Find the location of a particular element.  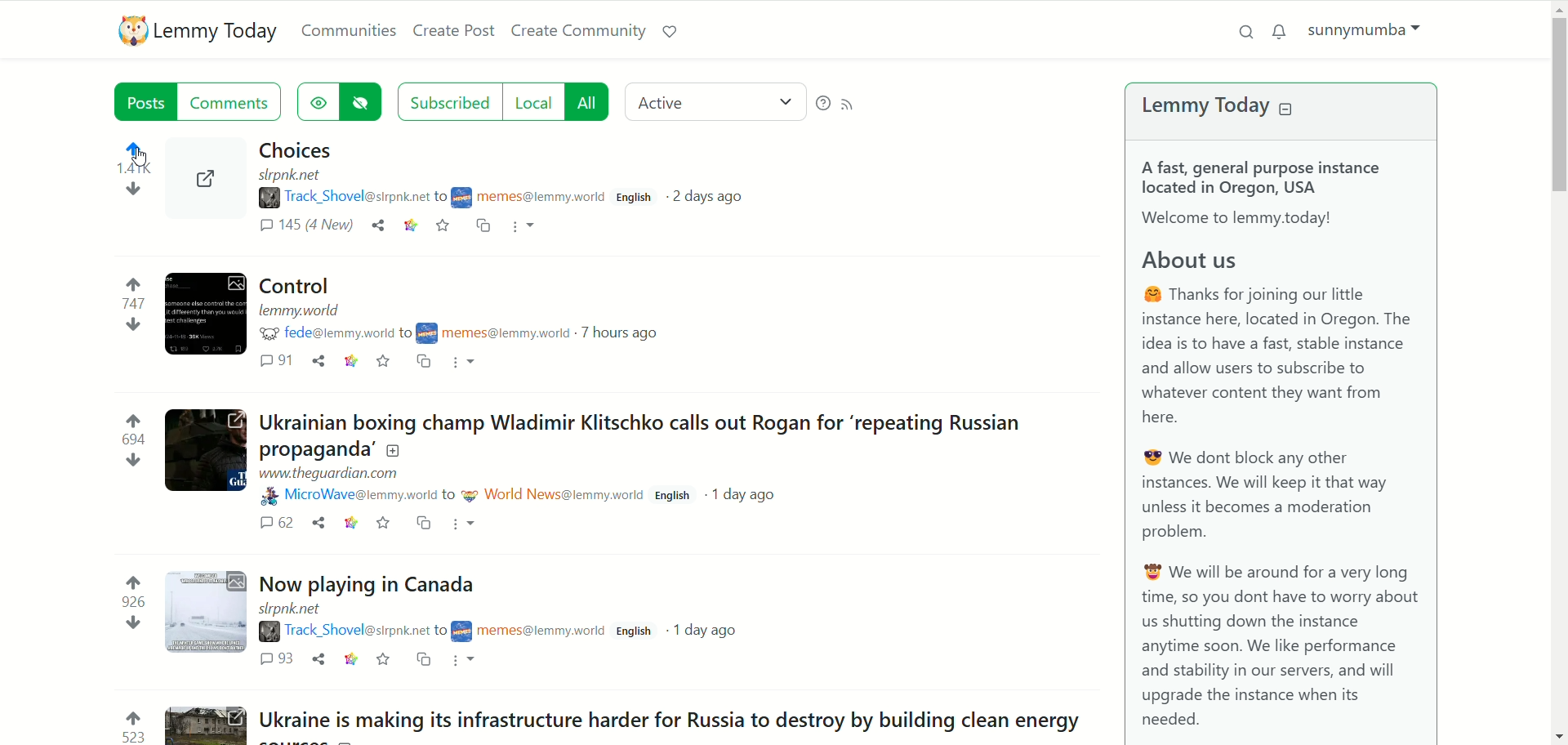

® We will be around for a very longtime, so you dont have to worry about us shutting down the instance anytime soon. We like performance and stability in our servers, and will upgrade the instance when its needed. is located at coordinates (1276, 649).